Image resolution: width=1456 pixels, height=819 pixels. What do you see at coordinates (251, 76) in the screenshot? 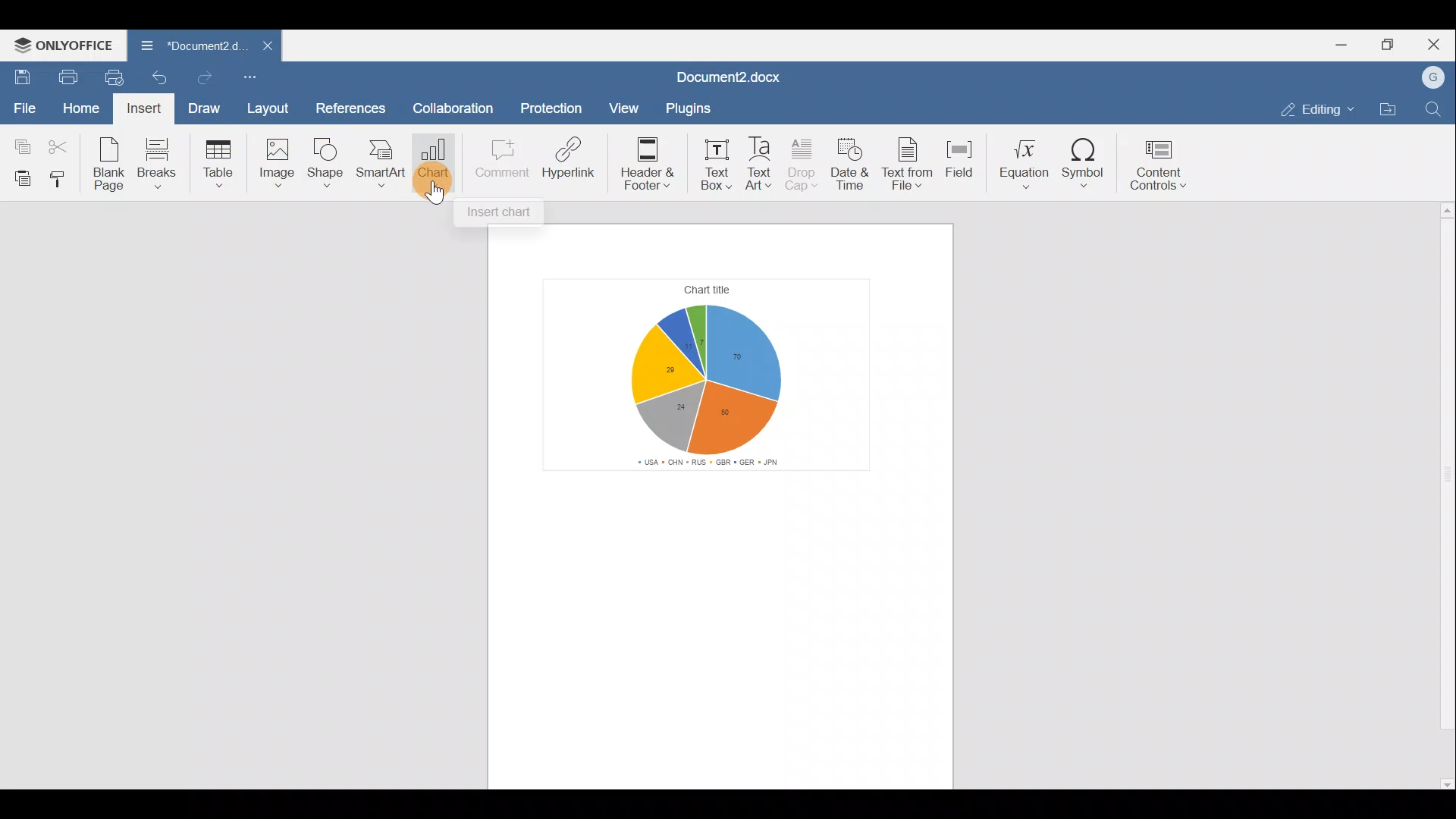
I see `Customize quick access toolbar` at bounding box center [251, 76].